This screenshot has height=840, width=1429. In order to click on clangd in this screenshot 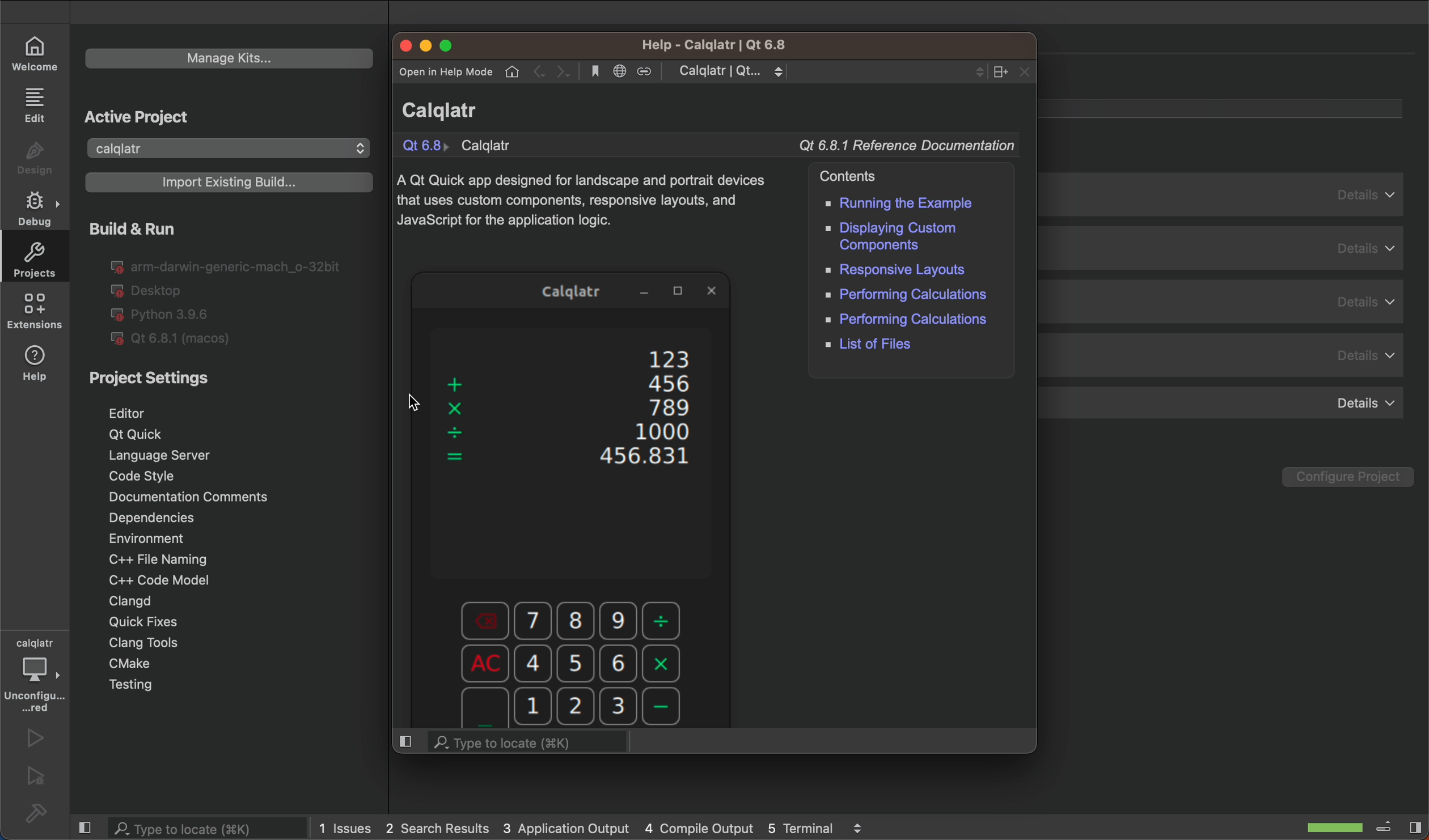, I will do `click(137, 602)`.